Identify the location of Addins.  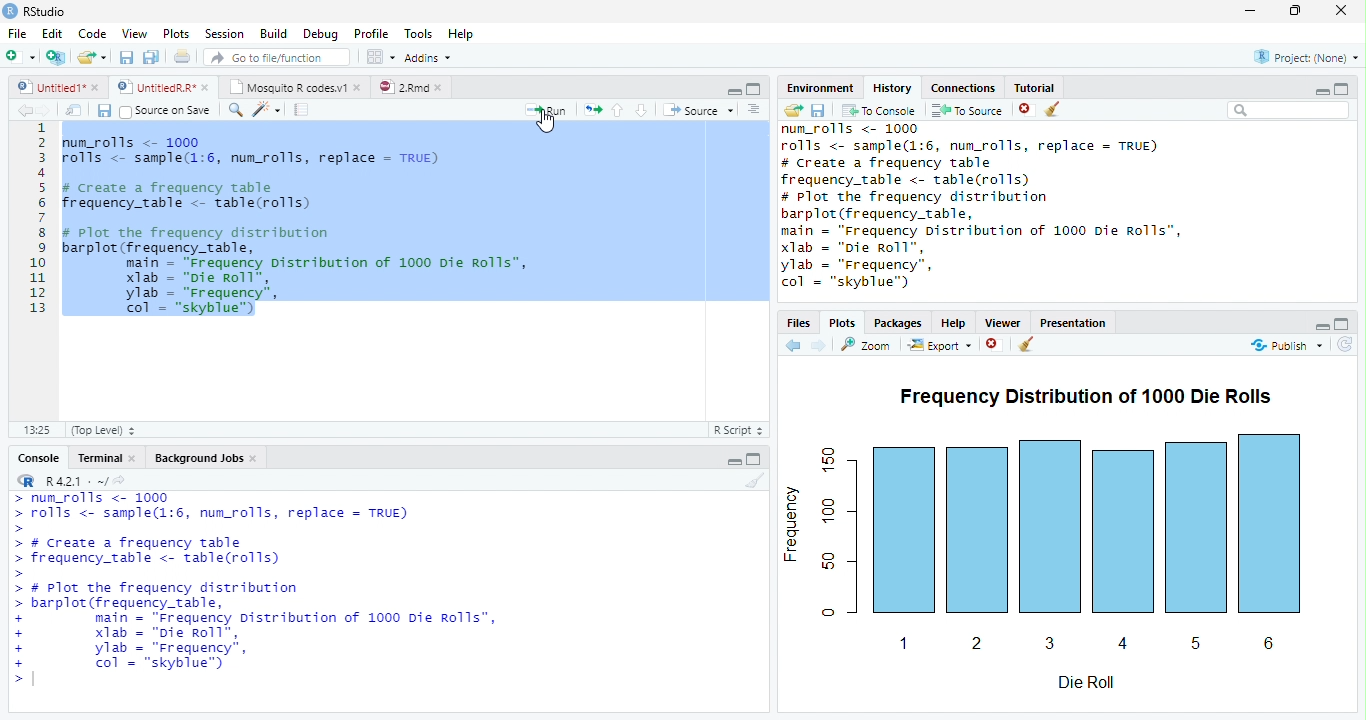
(431, 56).